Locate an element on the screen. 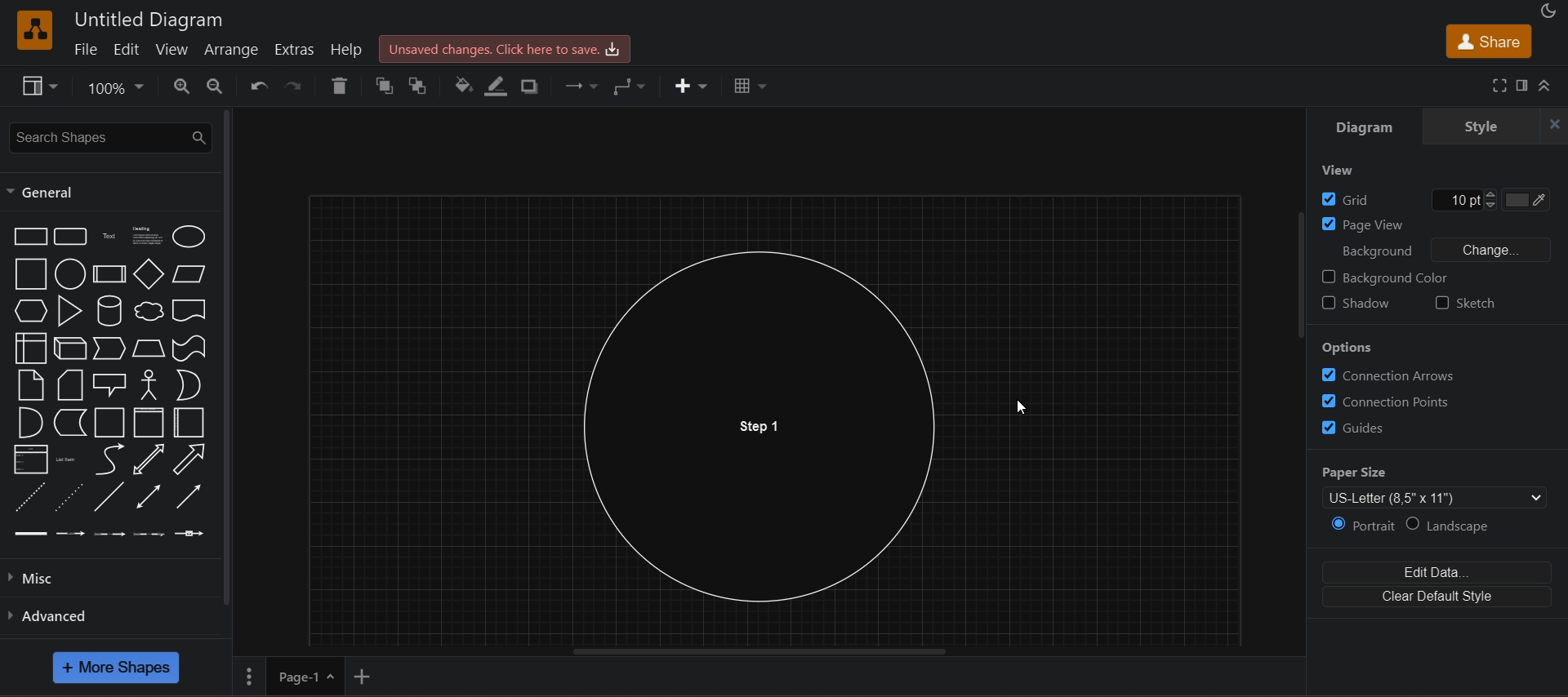 The height and width of the screenshot is (697, 1568). text is located at coordinates (108, 238).